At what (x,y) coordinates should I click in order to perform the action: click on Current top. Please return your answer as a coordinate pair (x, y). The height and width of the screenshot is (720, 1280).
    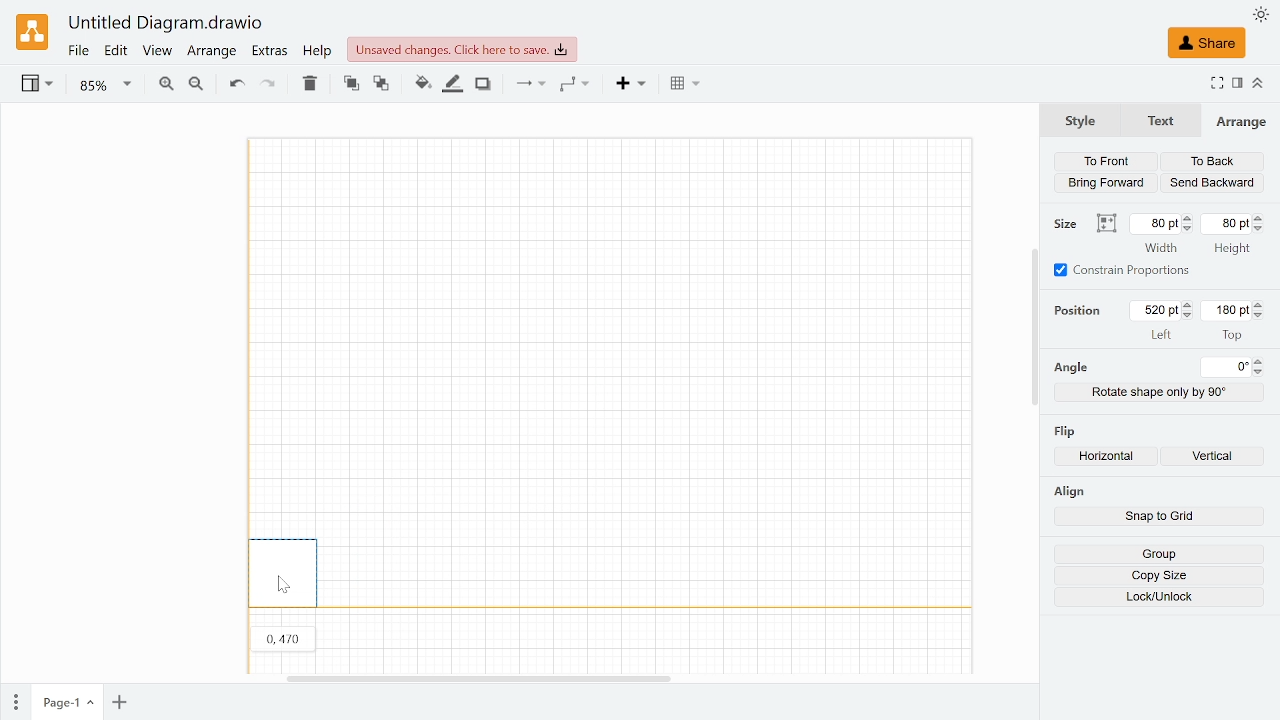
    Looking at the image, I should click on (1225, 310).